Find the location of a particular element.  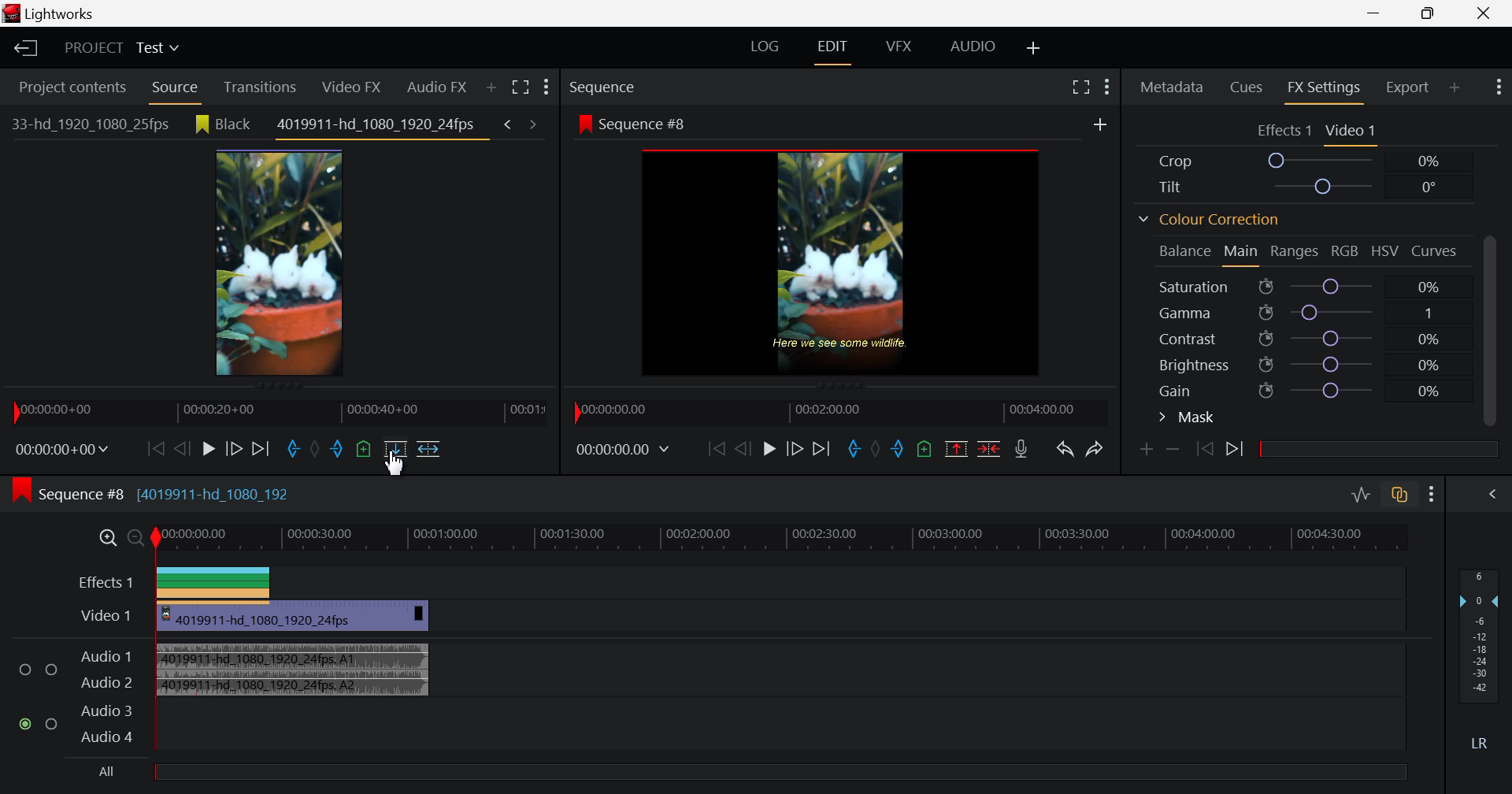

Audio FX is located at coordinates (432, 88).